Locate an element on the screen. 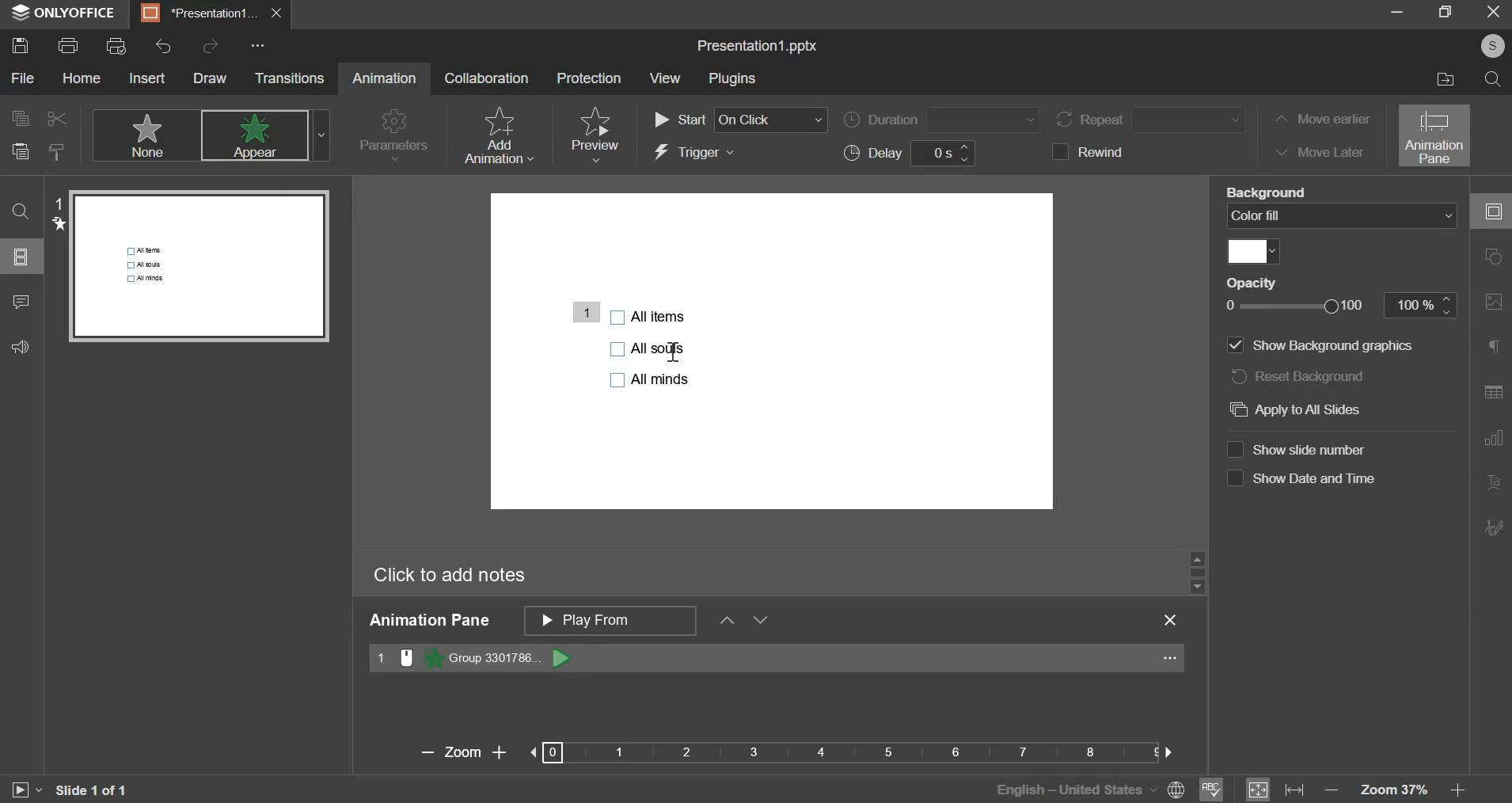 This screenshot has height=803, width=1512. exit is located at coordinates (1487, 15).